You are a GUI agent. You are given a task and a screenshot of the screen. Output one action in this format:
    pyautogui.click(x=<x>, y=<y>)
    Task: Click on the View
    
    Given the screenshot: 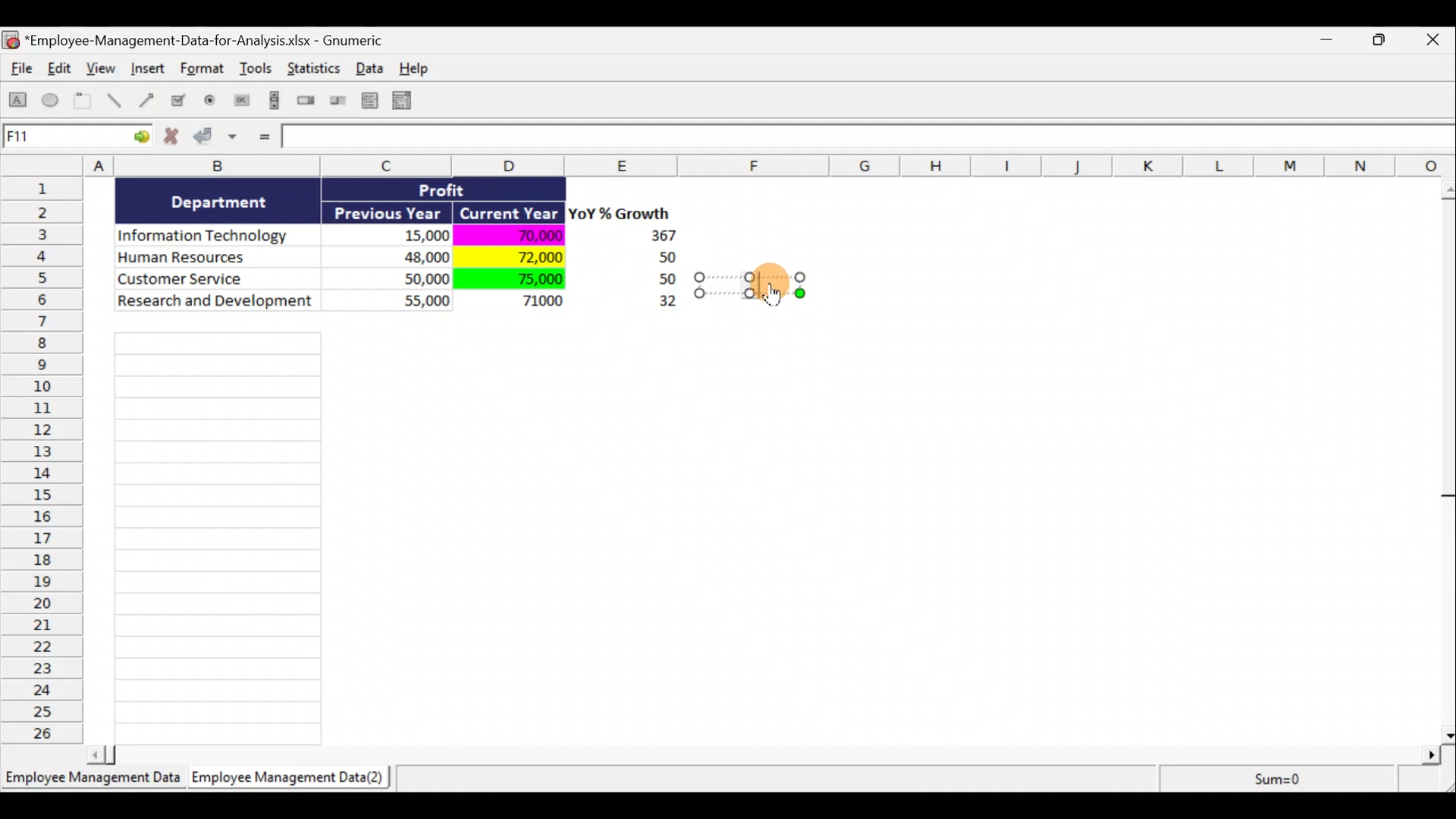 What is the action you would take?
    pyautogui.click(x=103, y=68)
    